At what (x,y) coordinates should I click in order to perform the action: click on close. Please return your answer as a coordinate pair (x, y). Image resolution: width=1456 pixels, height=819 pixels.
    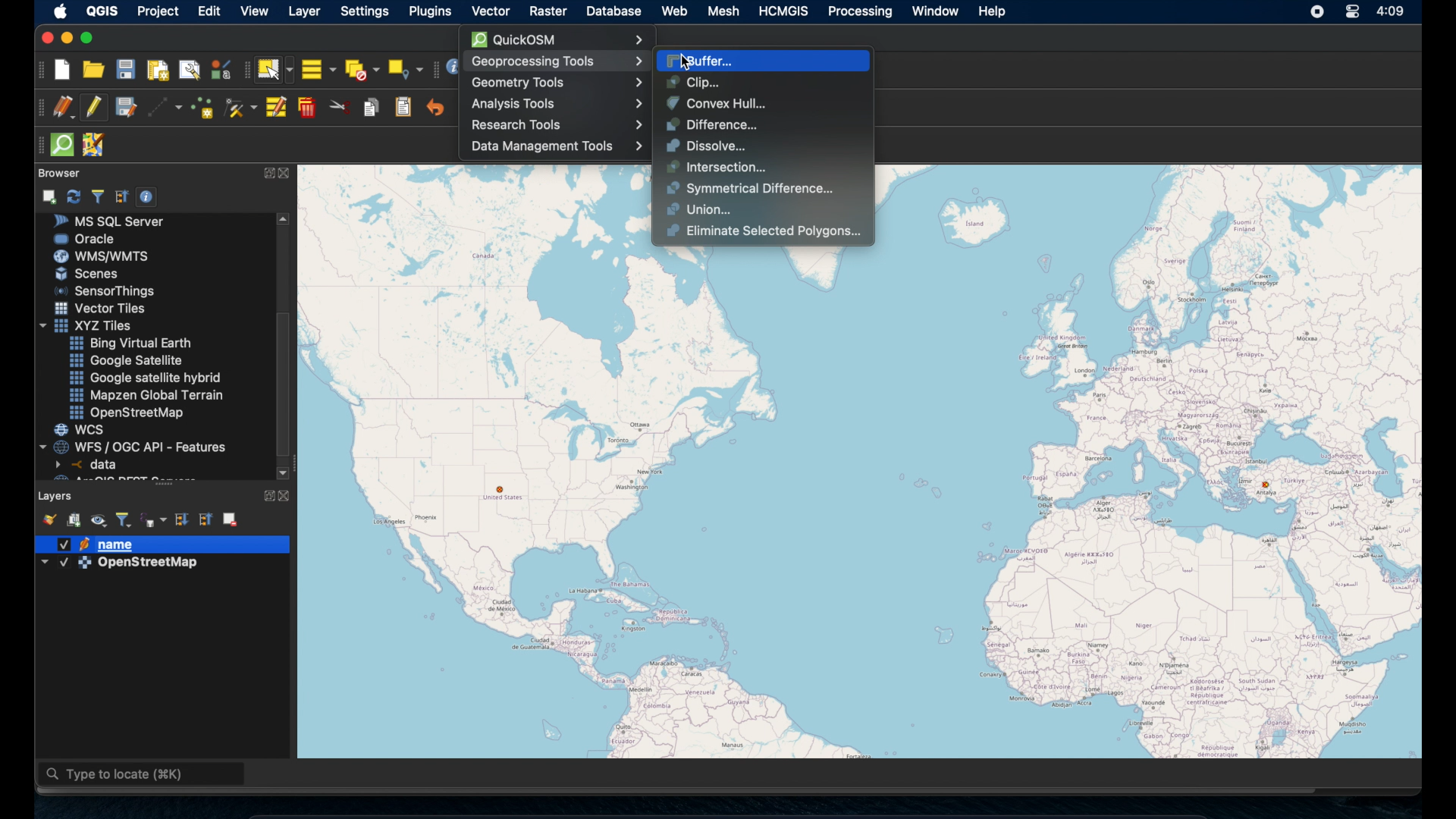
    Looking at the image, I should click on (289, 496).